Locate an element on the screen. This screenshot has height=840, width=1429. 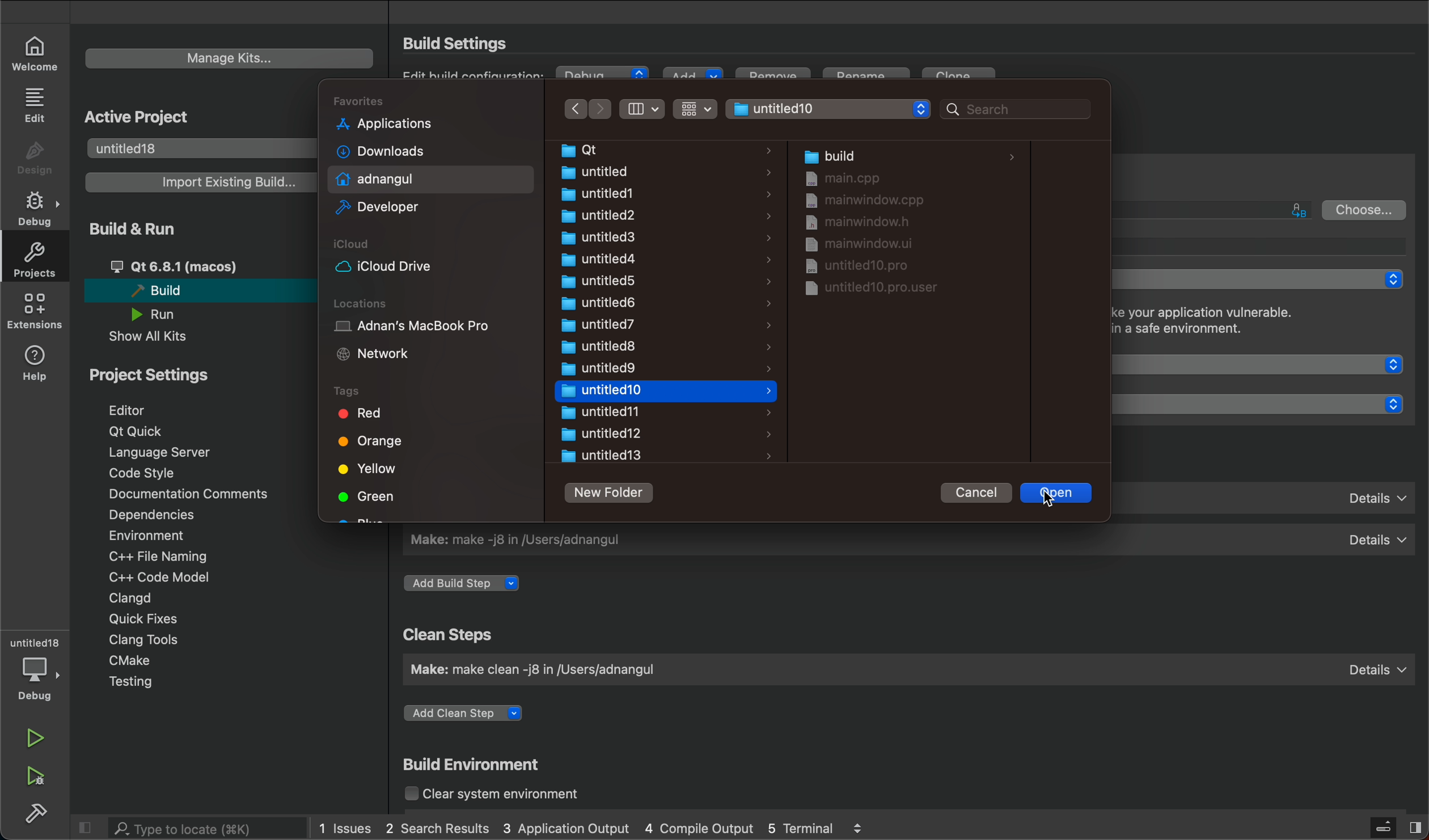
5 Terminal is located at coordinates (797, 826).